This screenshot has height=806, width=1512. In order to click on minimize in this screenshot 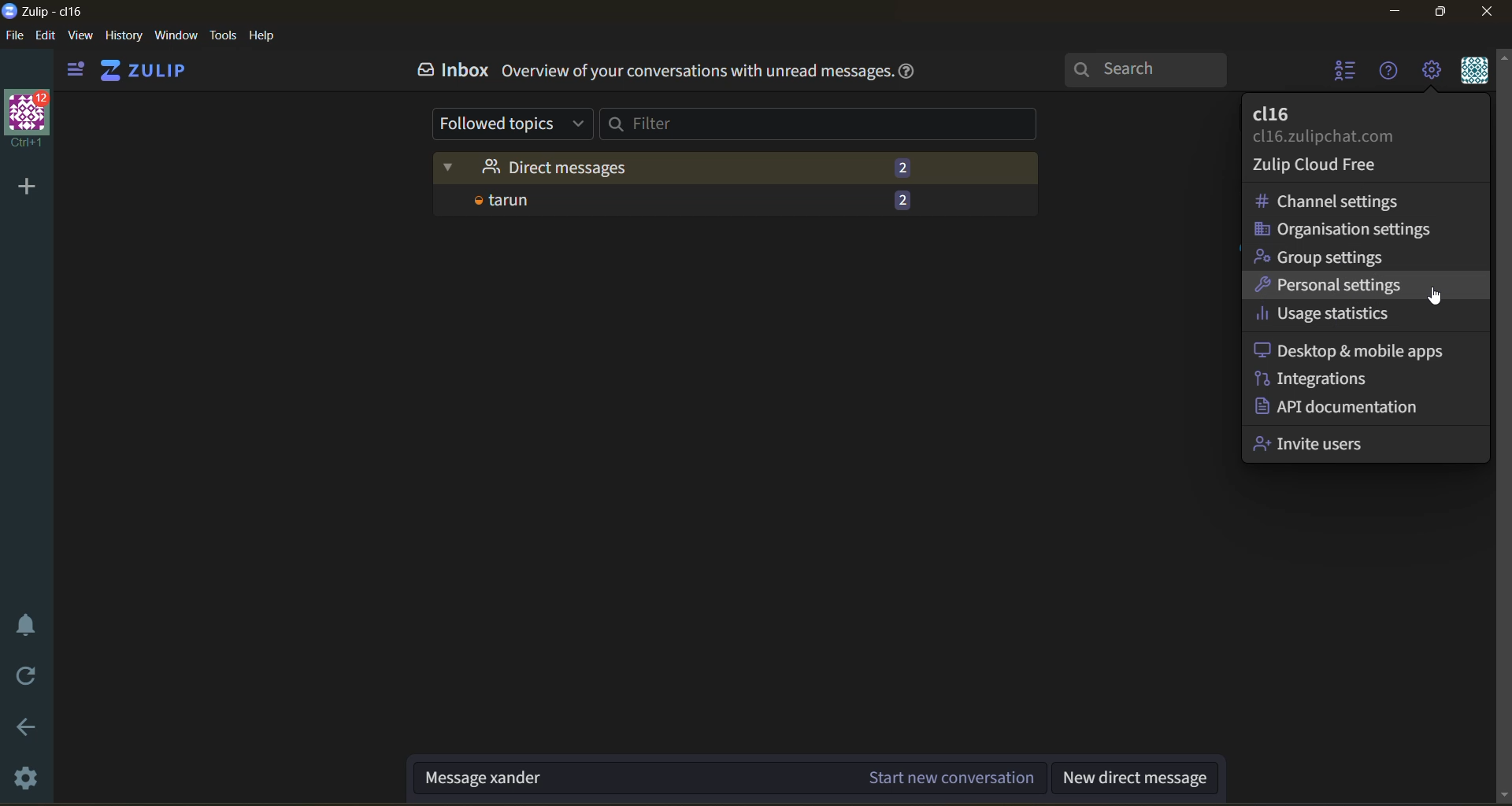, I will do `click(1397, 14)`.